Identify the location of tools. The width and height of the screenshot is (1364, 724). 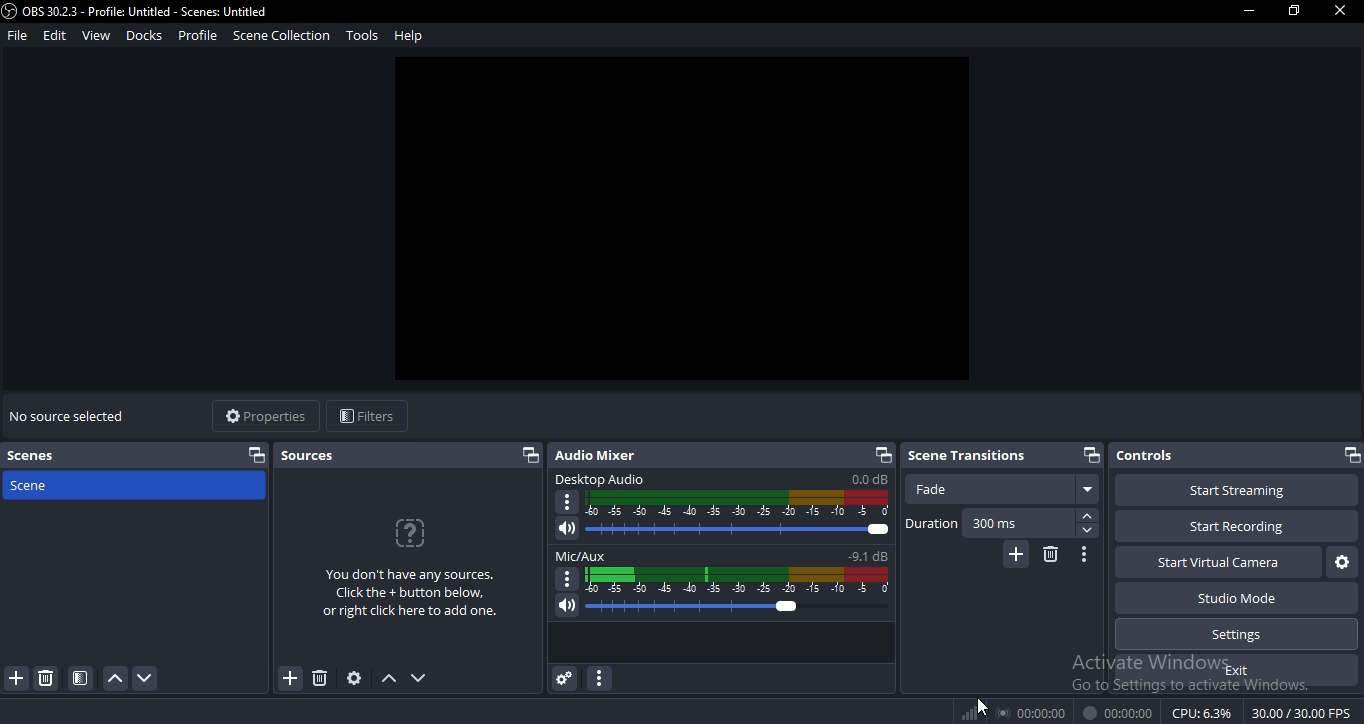
(364, 35).